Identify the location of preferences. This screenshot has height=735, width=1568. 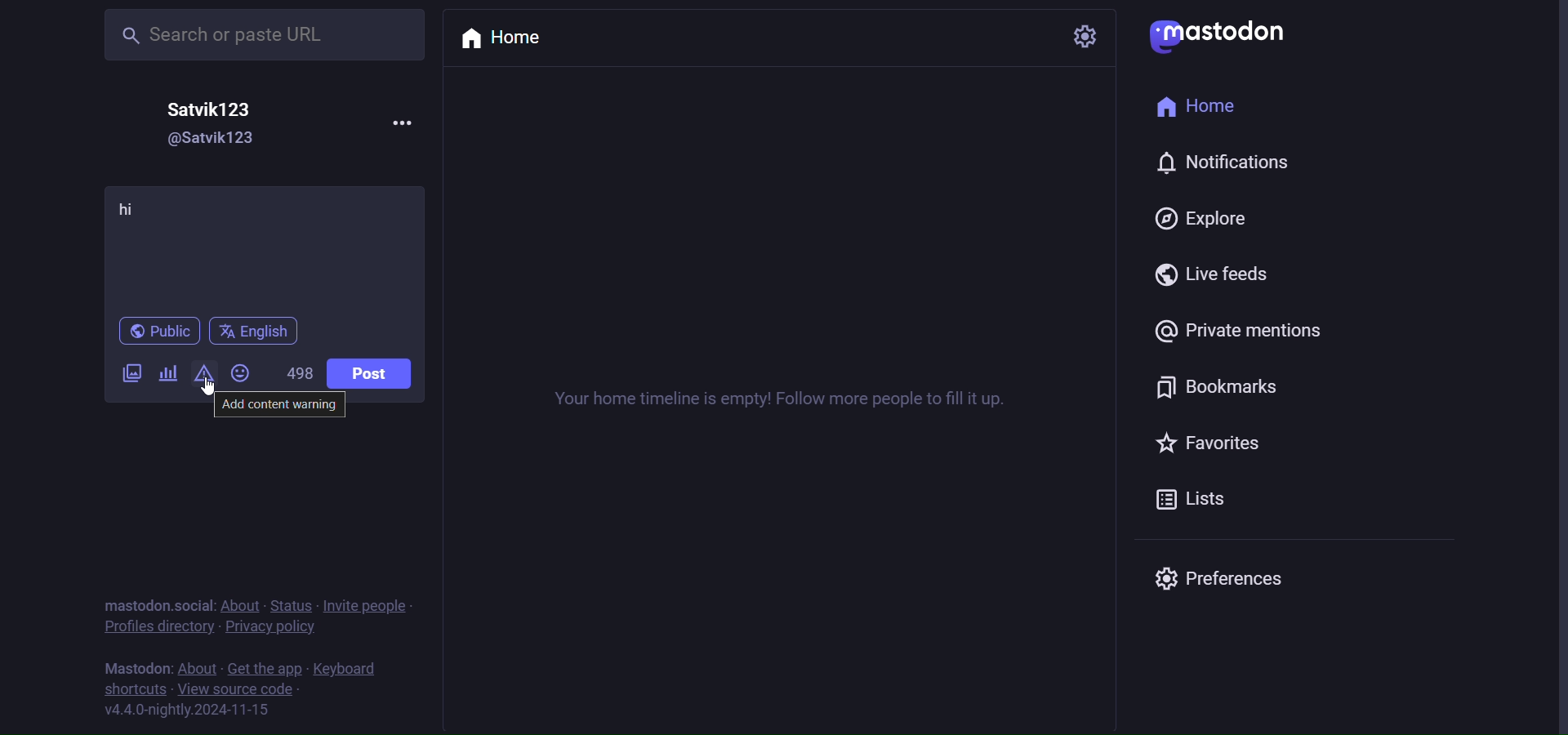
(1218, 576).